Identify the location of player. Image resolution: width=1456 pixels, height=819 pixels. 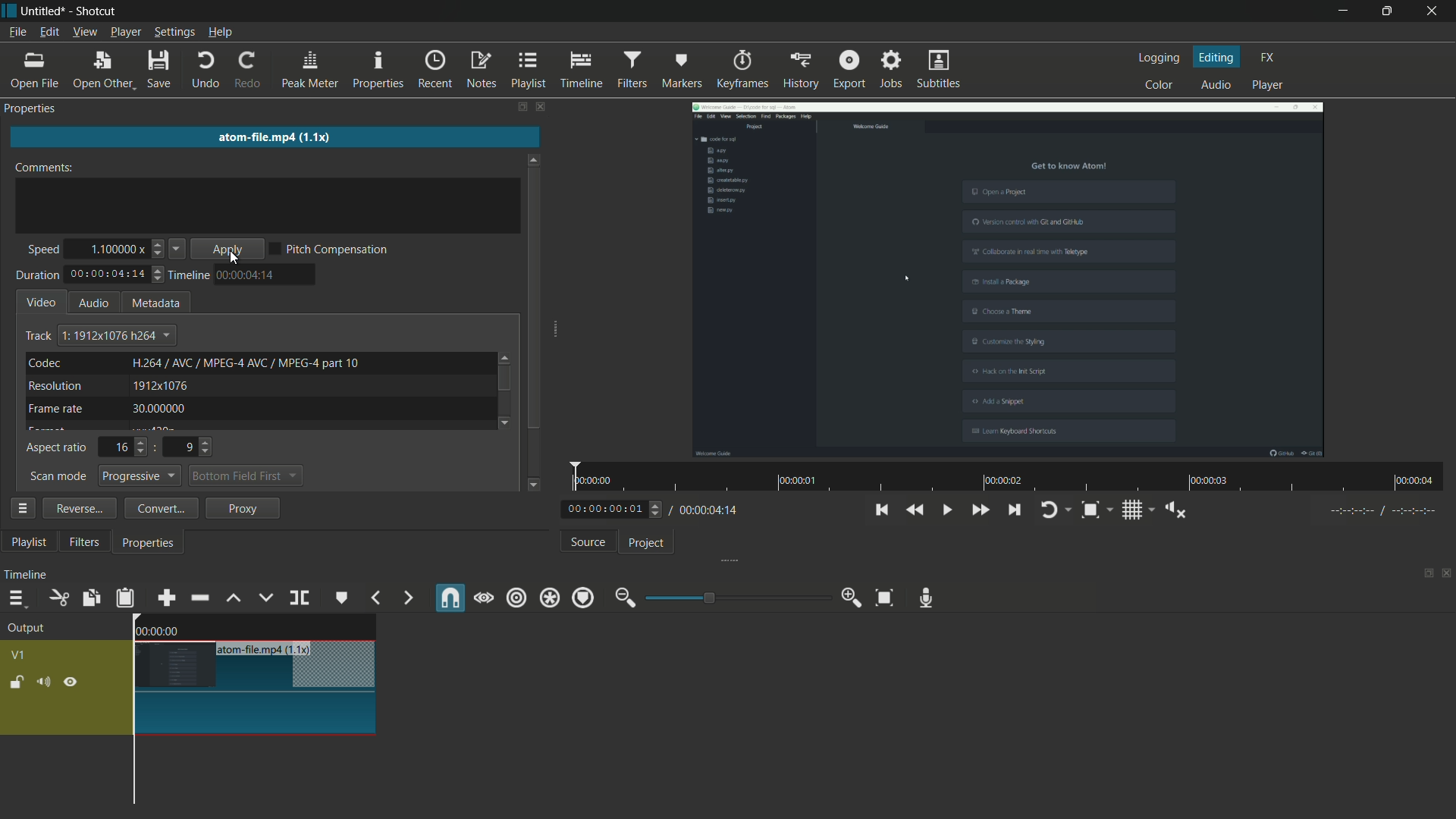
(1267, 85).